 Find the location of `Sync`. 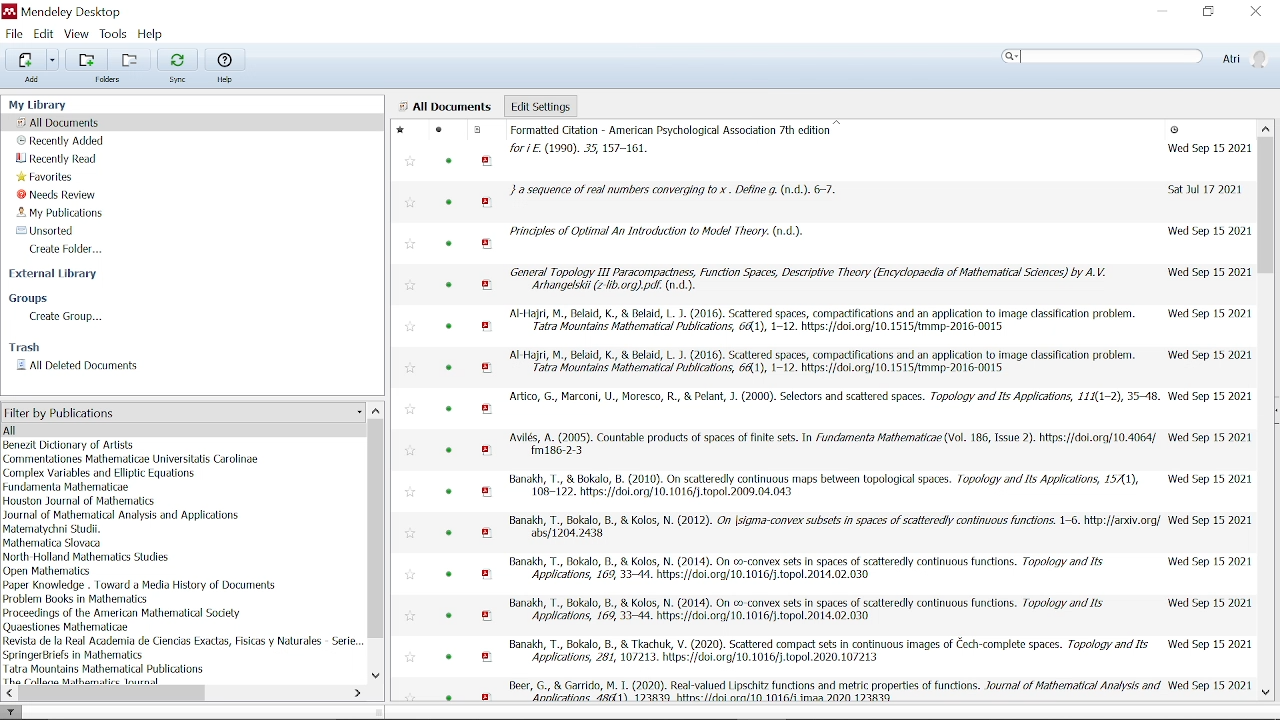

Sync is located at coordinates (176, 59).